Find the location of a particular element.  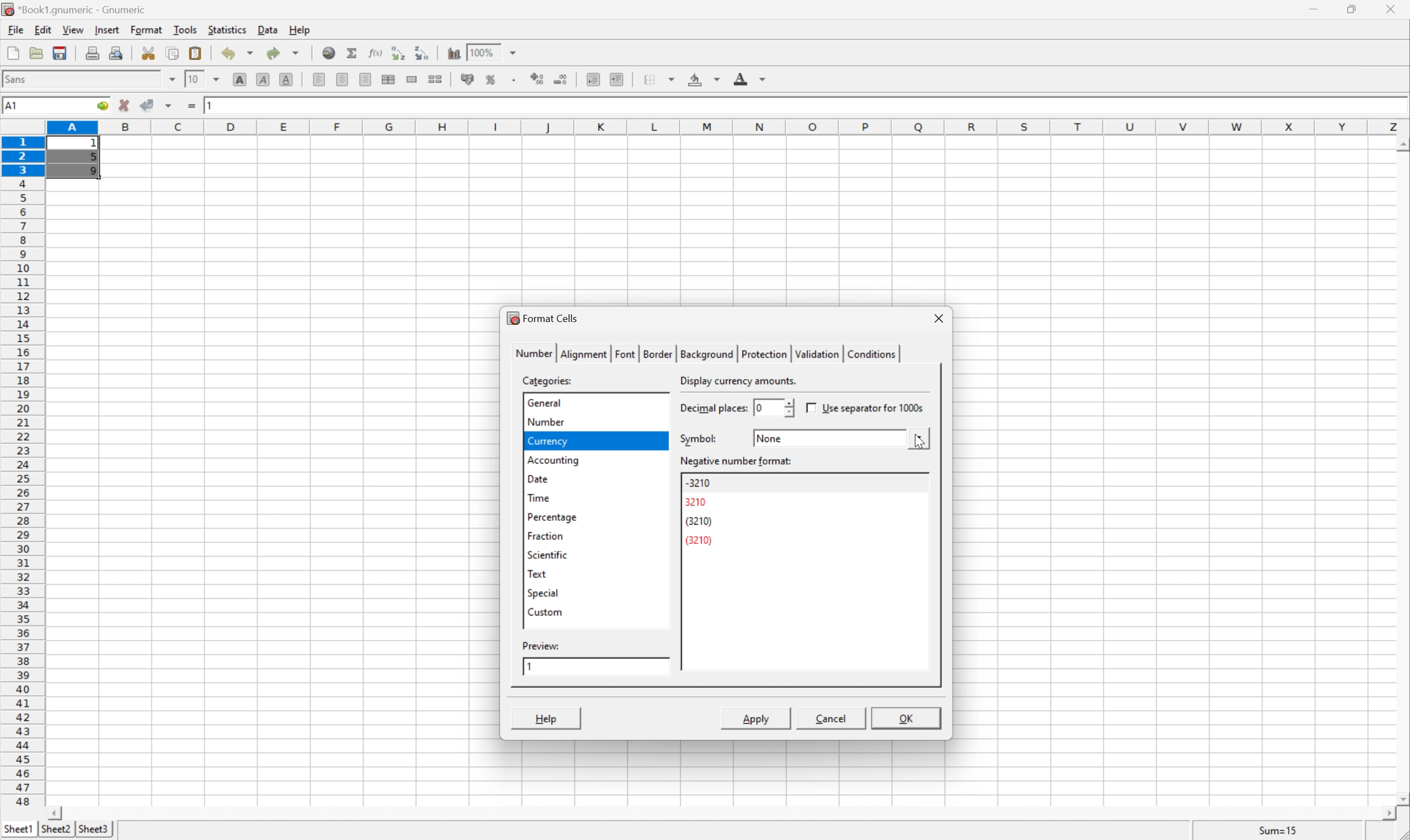

preview: is located at coordinates (542, 645).